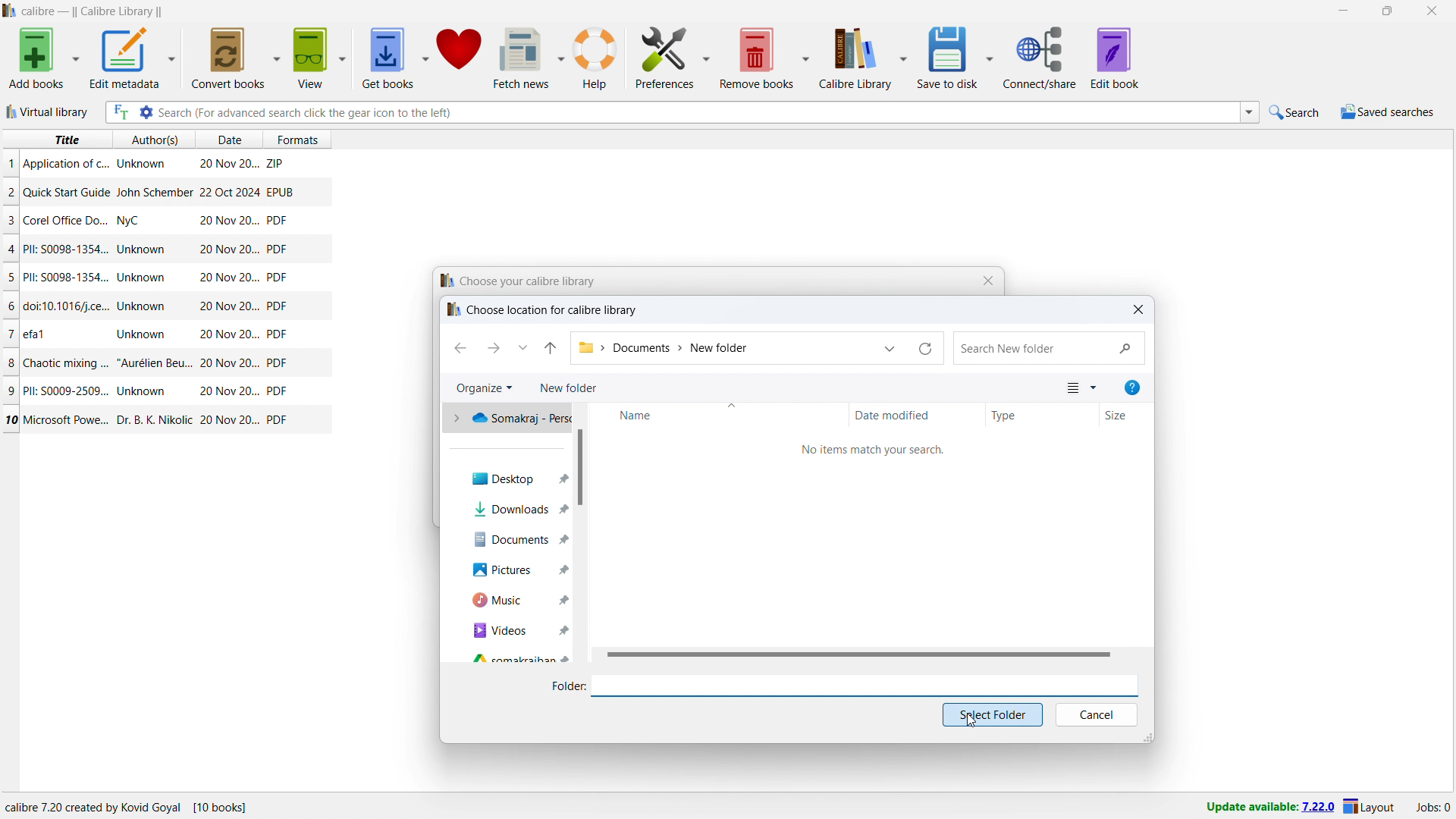 The height and width of the screenshot is (819, 1456). What do you see at coordinates (507, 600) in the screenshot?
I see `Music` at bounding box center [507, 600].